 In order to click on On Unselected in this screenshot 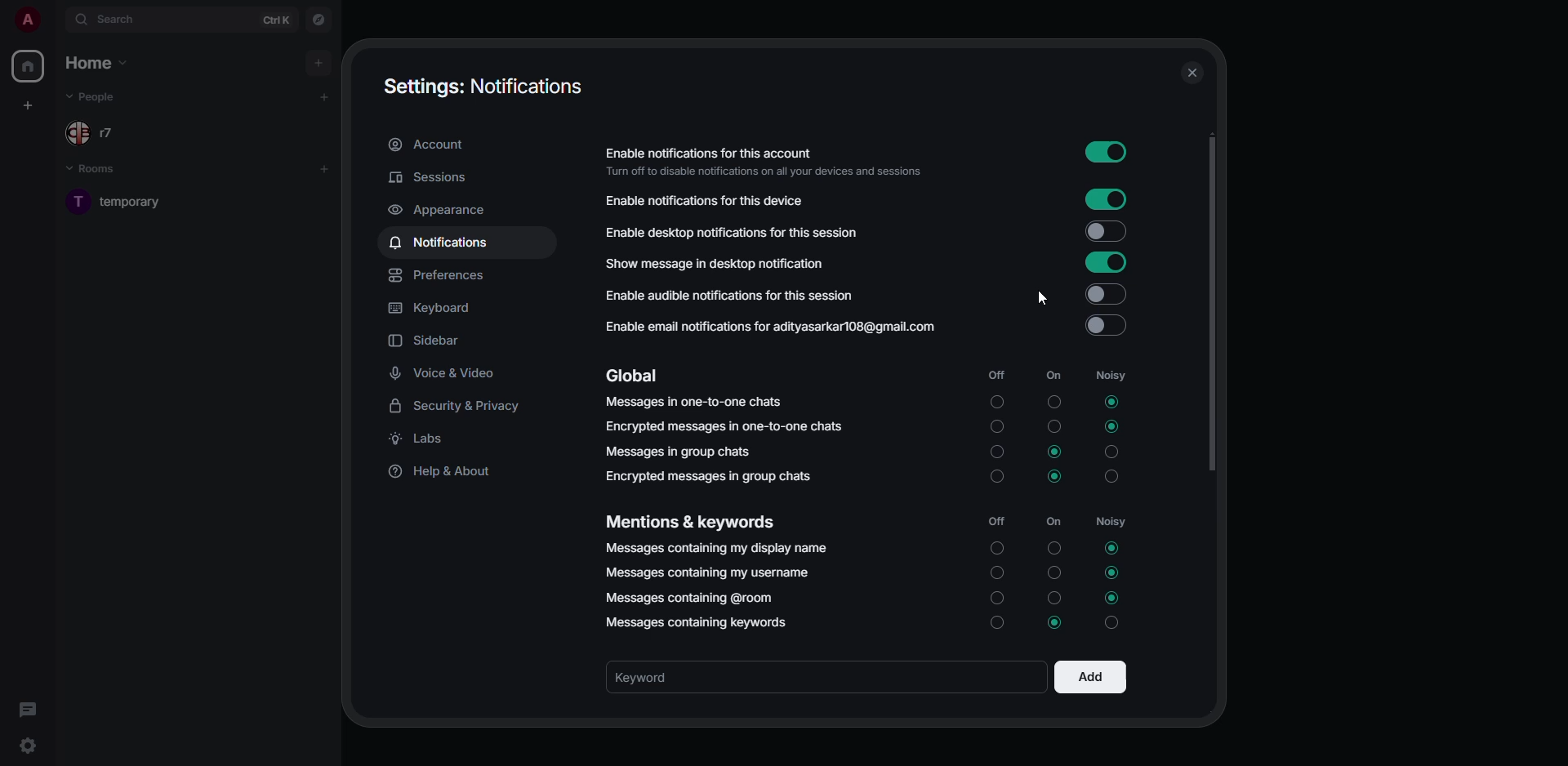, I will do `click(1054, 597)`.